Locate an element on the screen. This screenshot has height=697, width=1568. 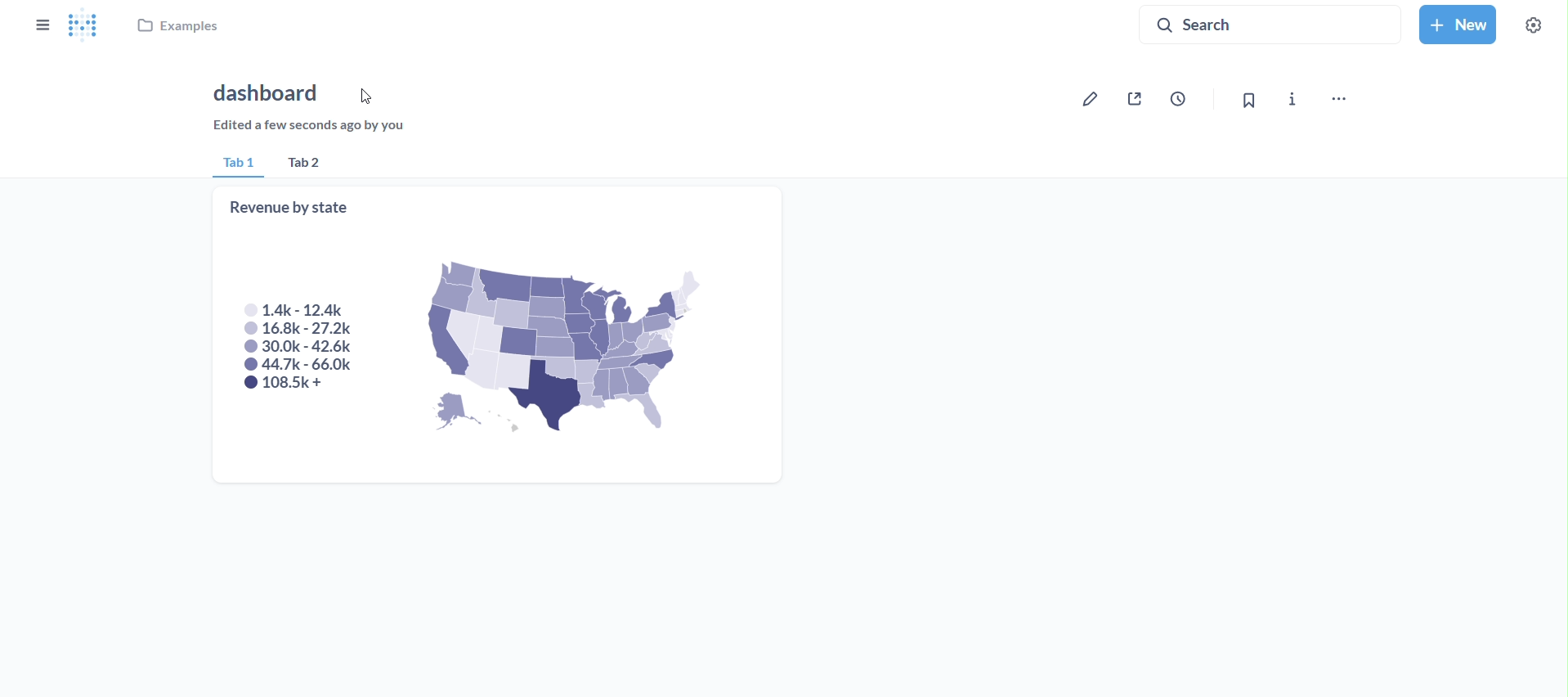
bookmark is located at coordinates (1244, 100).